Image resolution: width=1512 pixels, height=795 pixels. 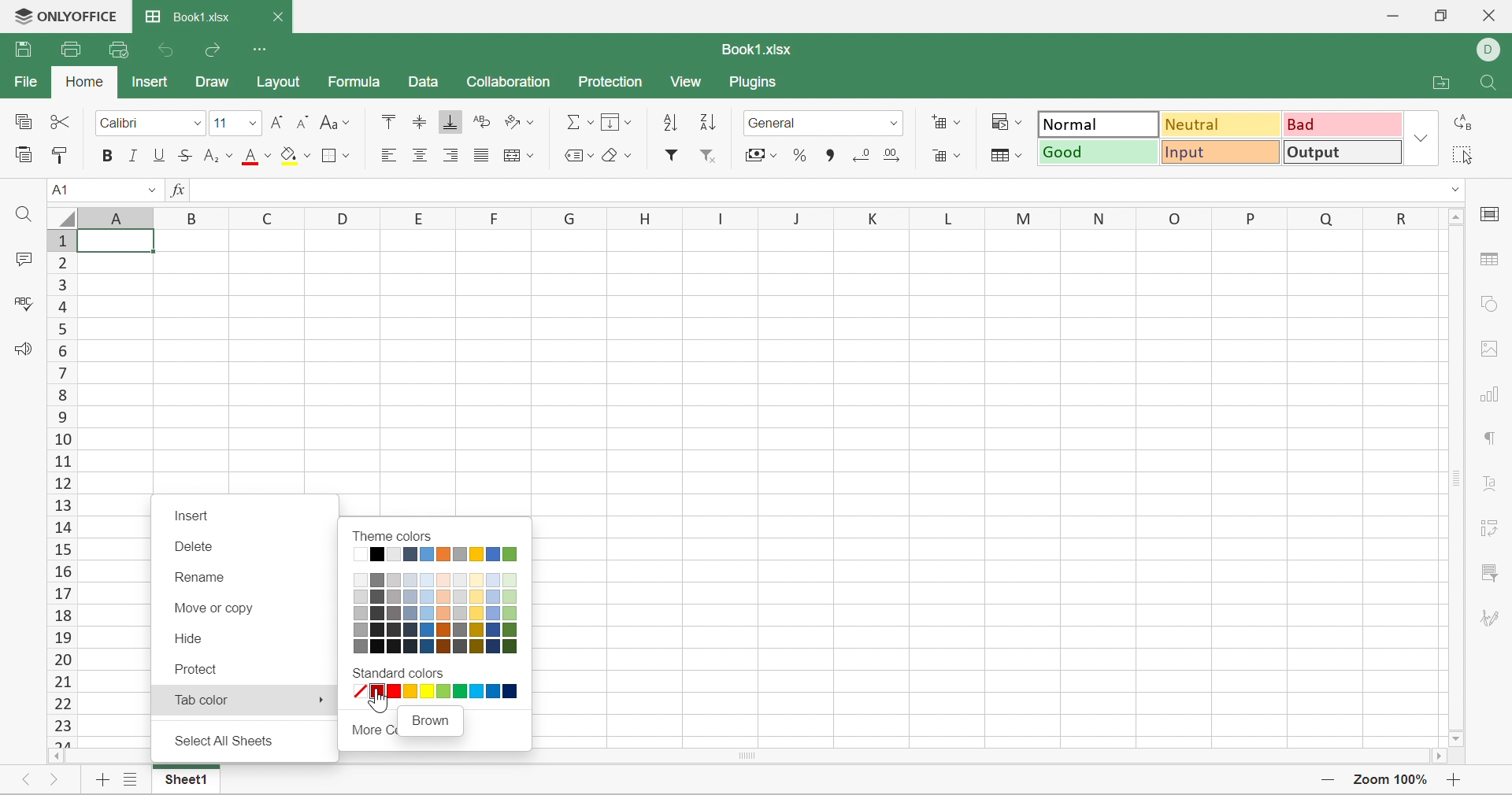 What do you see at coordinates (119, 50) in the screenshot?
I see `Quick print` at bounding box center [119, 50].